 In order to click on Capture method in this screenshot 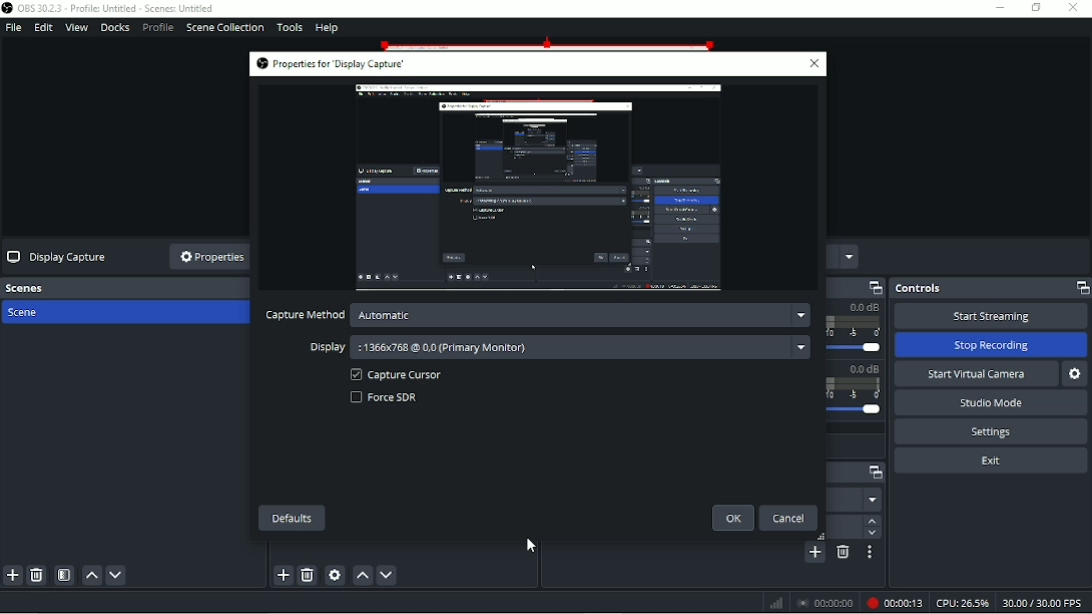, I will do `click(301, 315)`.